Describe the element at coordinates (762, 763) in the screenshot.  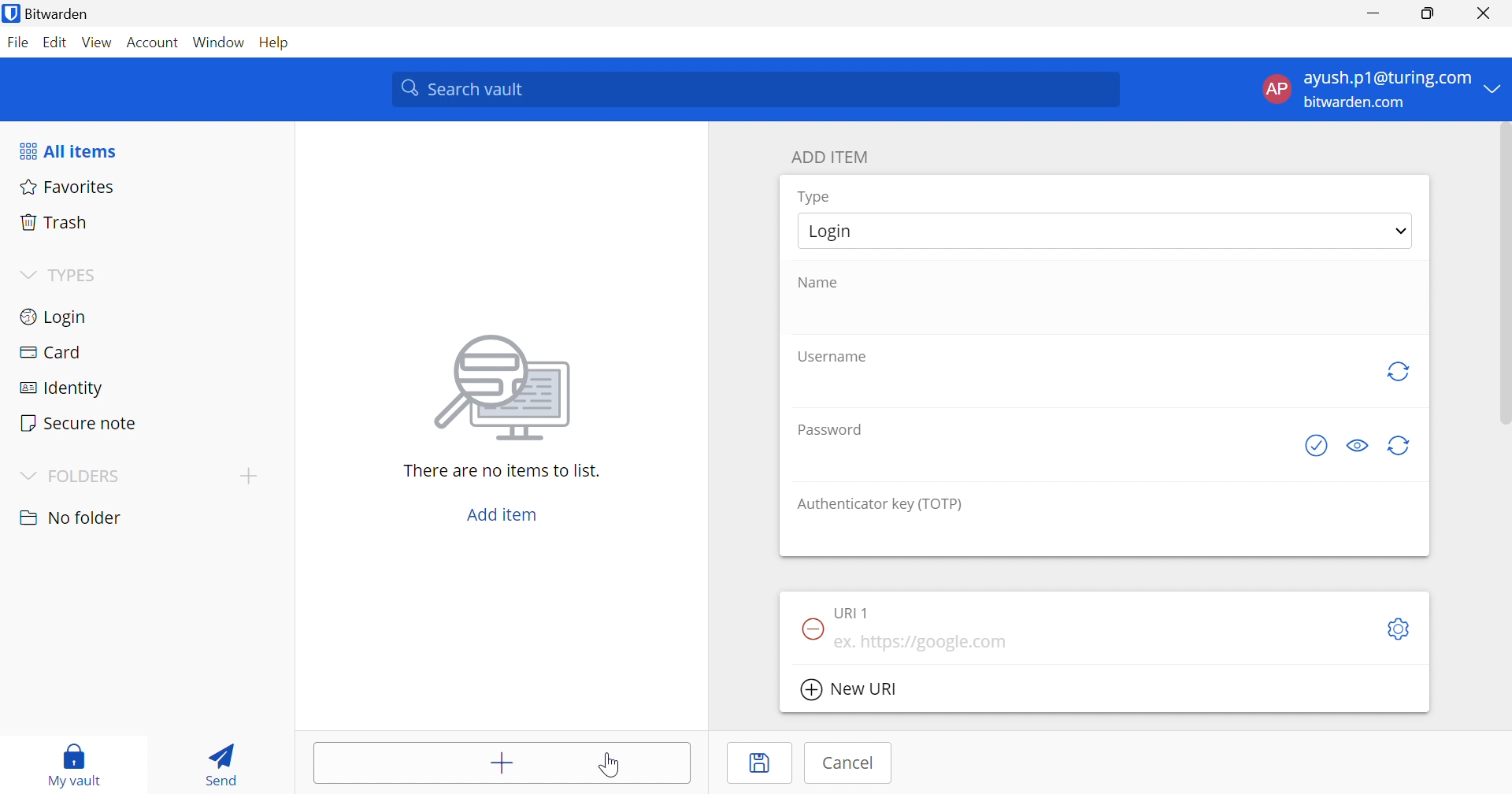
I see `Save` at that location.